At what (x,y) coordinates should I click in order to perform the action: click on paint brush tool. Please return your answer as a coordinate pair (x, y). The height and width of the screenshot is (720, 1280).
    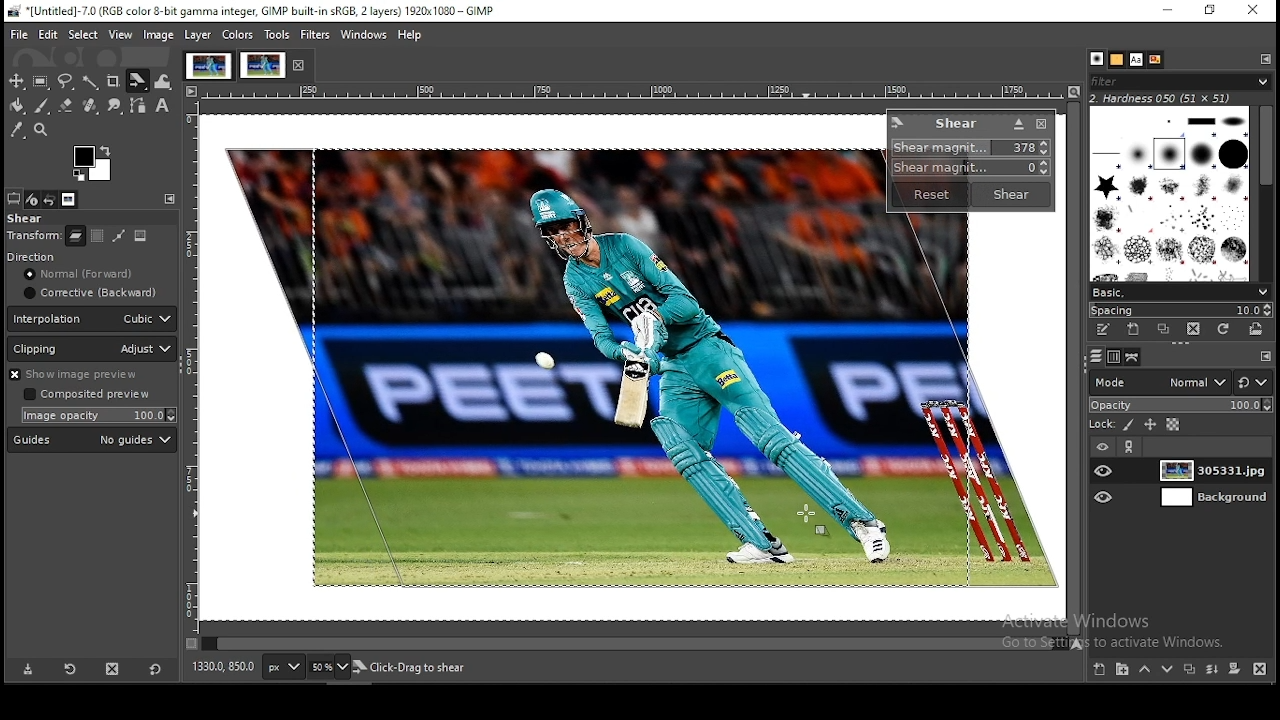
    Looking at the image, I should click on (45, 107).